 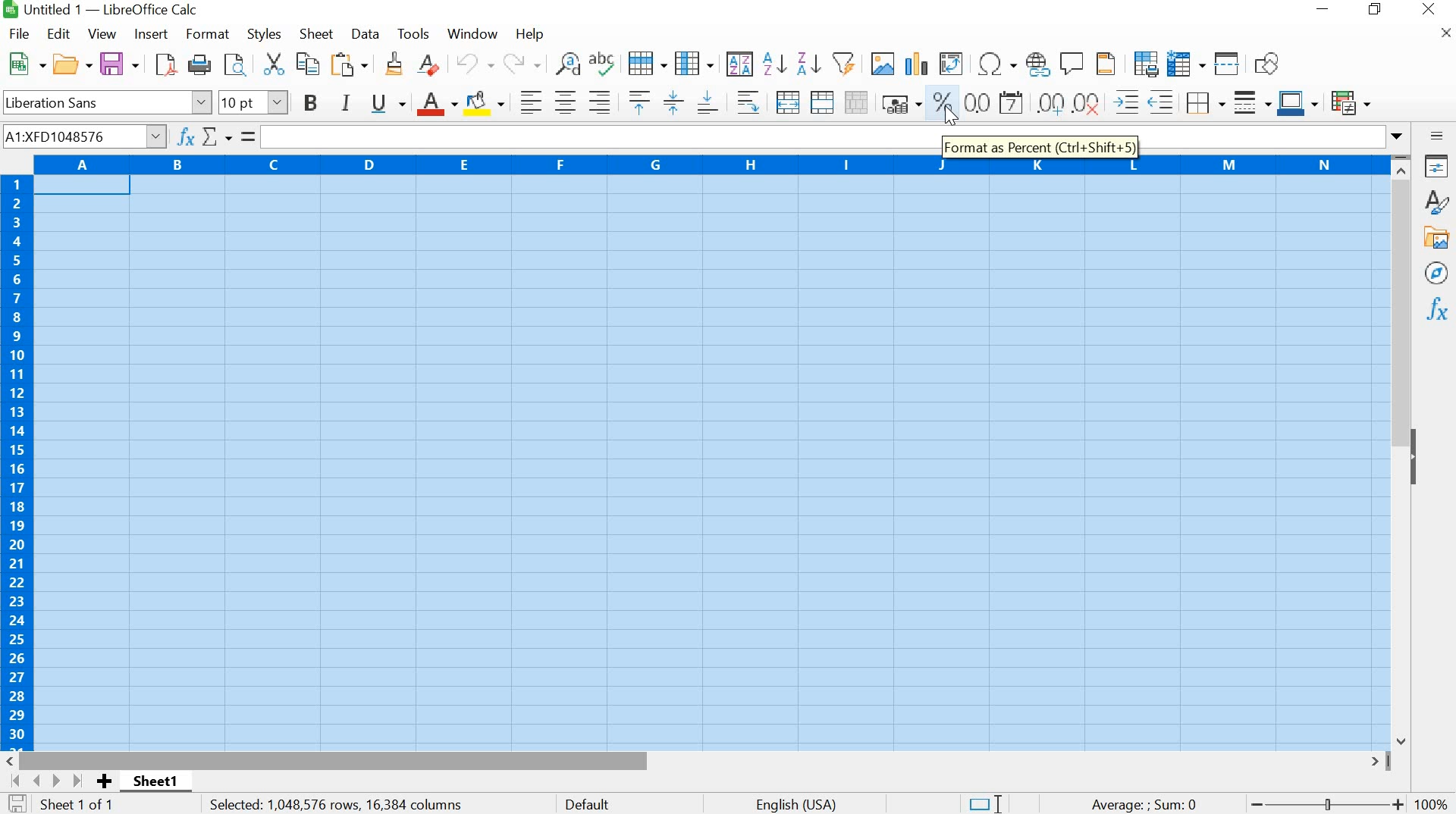 I want to click on BOLD, so click(x=309, y=104).